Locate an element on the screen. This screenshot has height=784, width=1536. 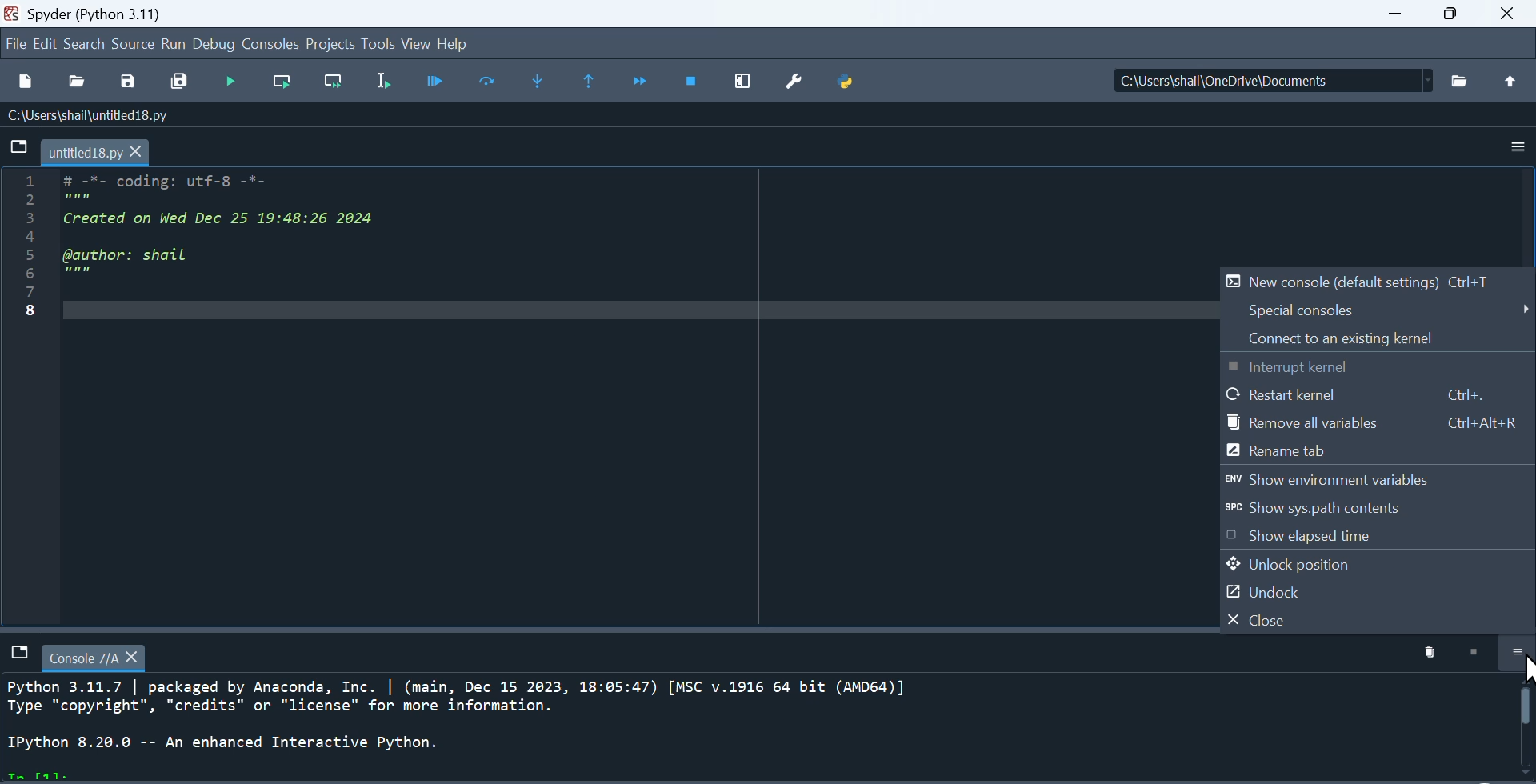
scroll bar is located at coordinates (1526, 731).